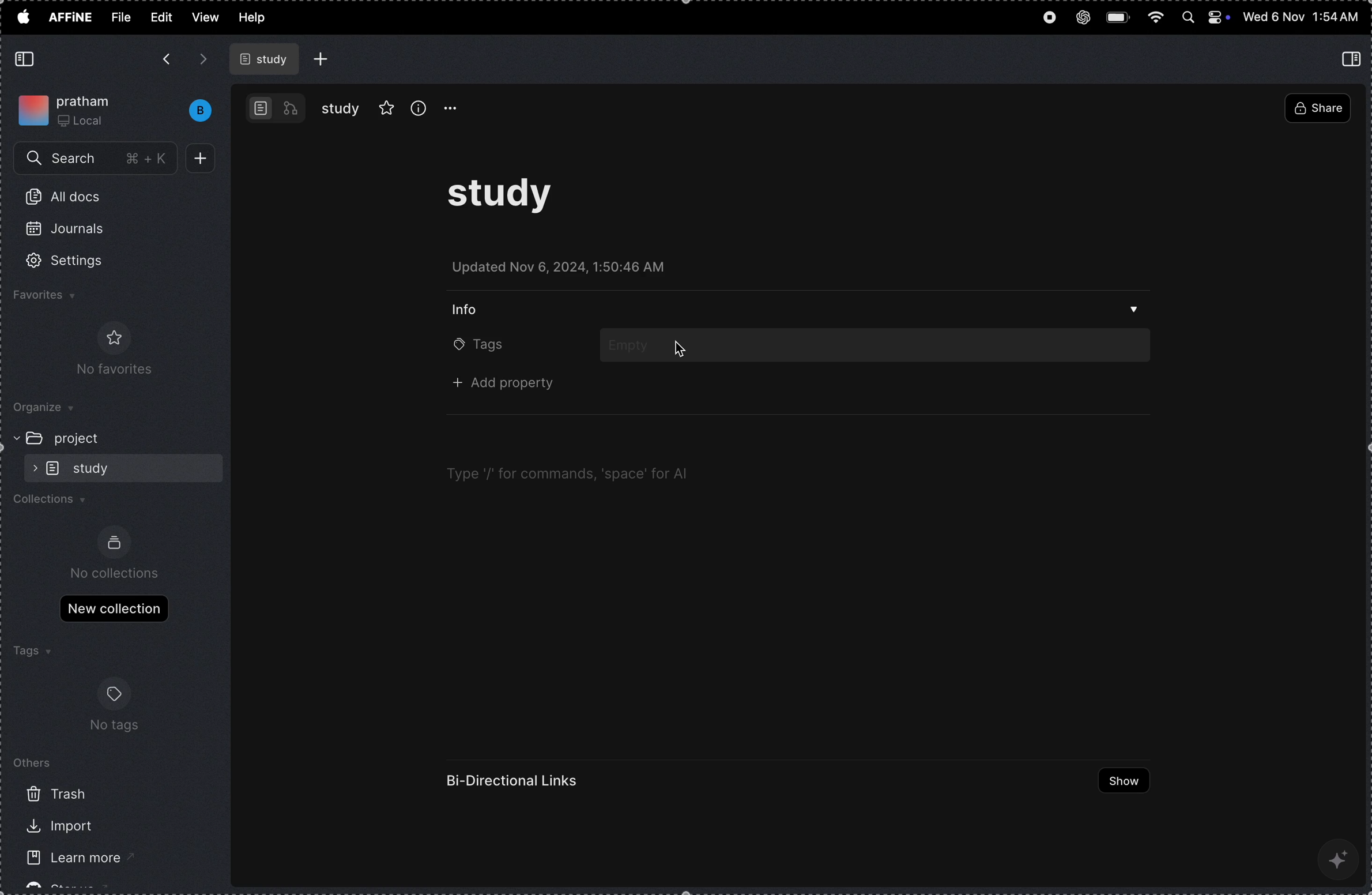 The width and height of the screenshot is (1372, 895). I want to click on + add property, so click(510, 385).